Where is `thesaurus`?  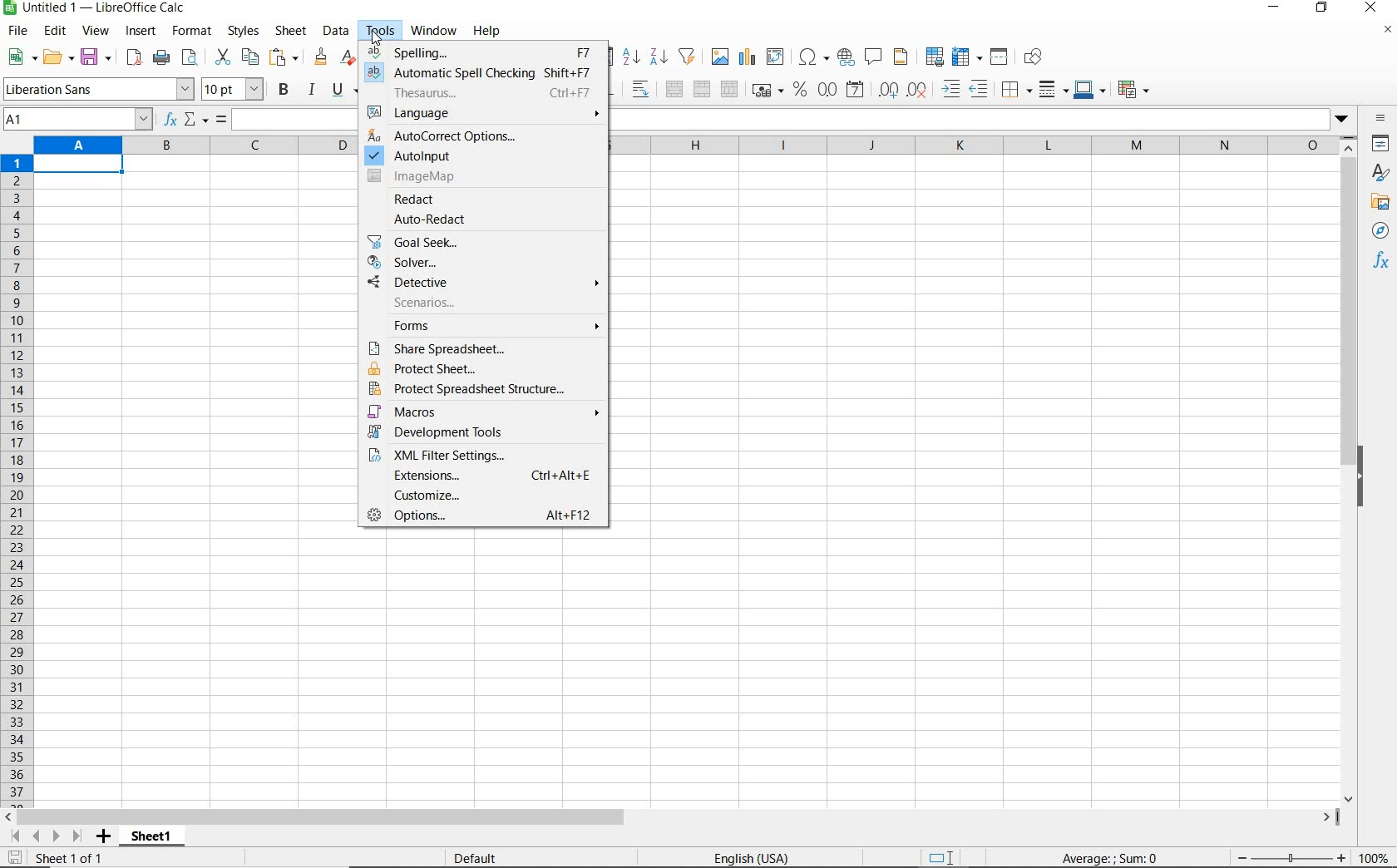 thesaurus is located at coordinates (495, 91).